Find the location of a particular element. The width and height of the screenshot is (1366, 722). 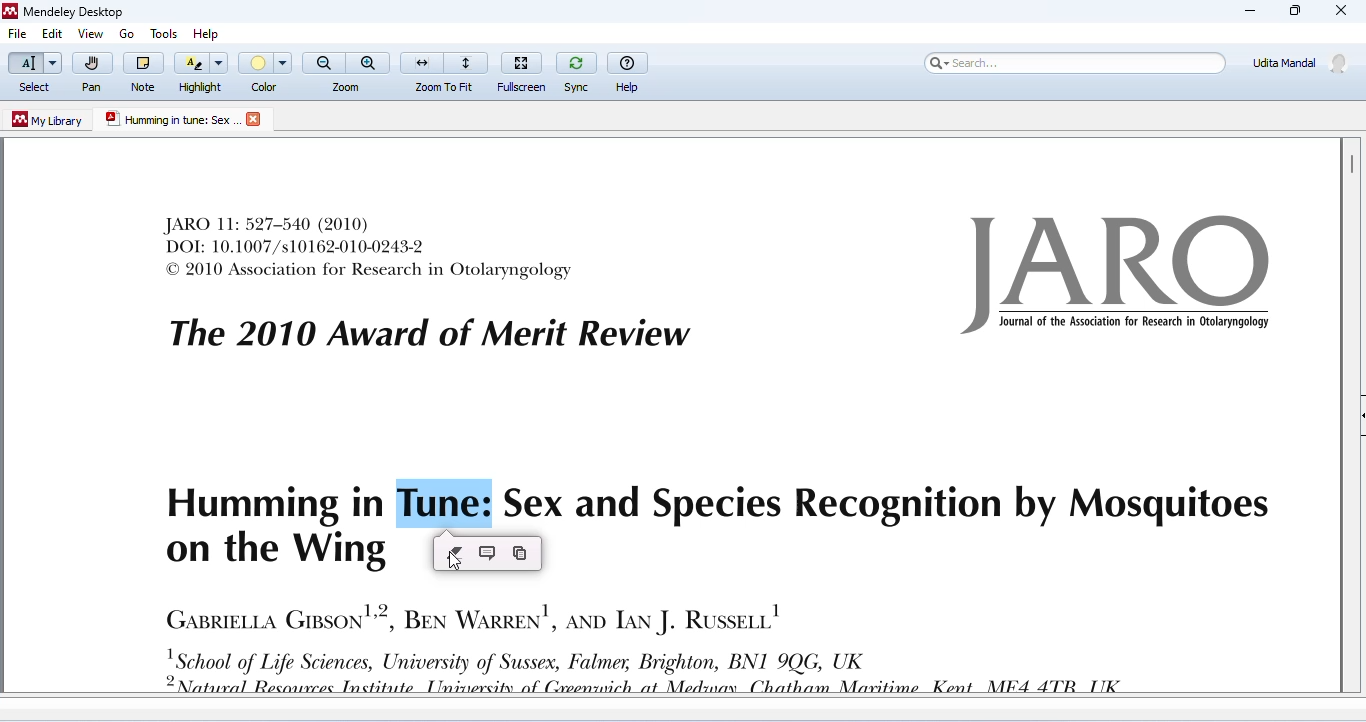

search bar is located at coordinates (1072, 62).